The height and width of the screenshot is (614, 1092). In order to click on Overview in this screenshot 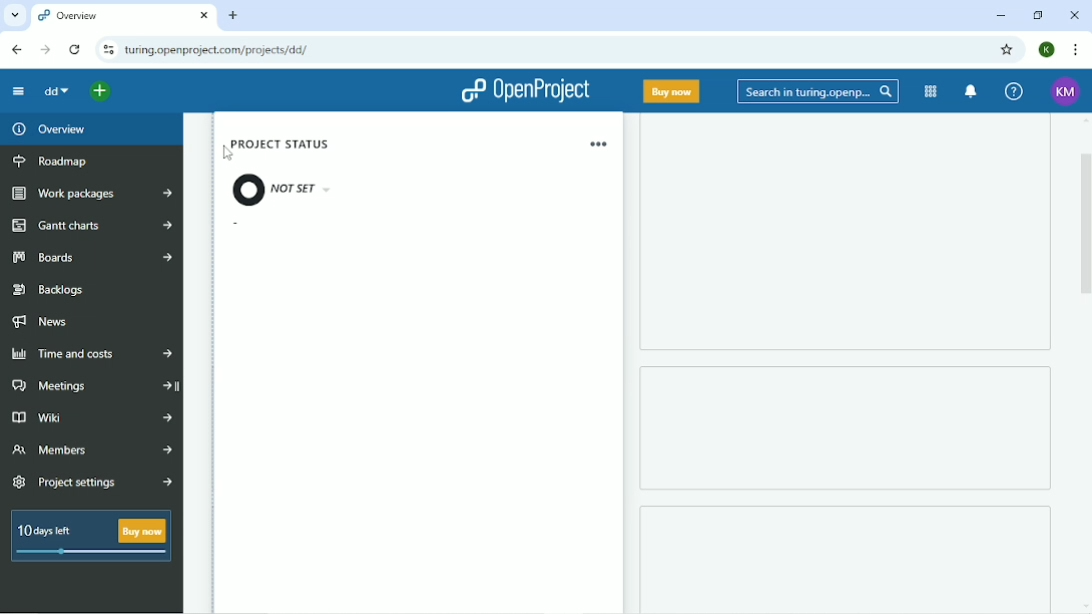, I will do `click(47, 129)`.